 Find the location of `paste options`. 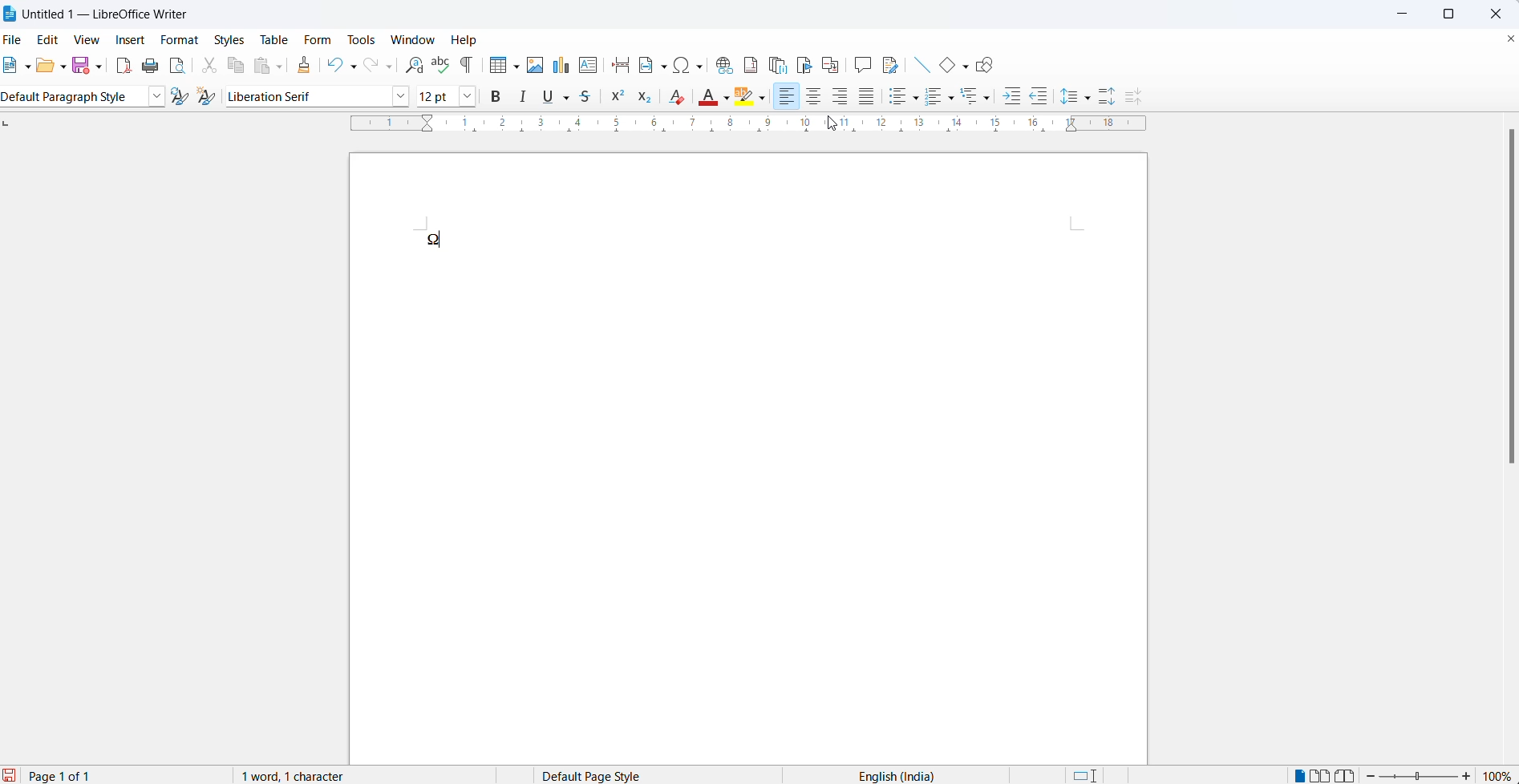

paste options is located at coordinates (283, 66).